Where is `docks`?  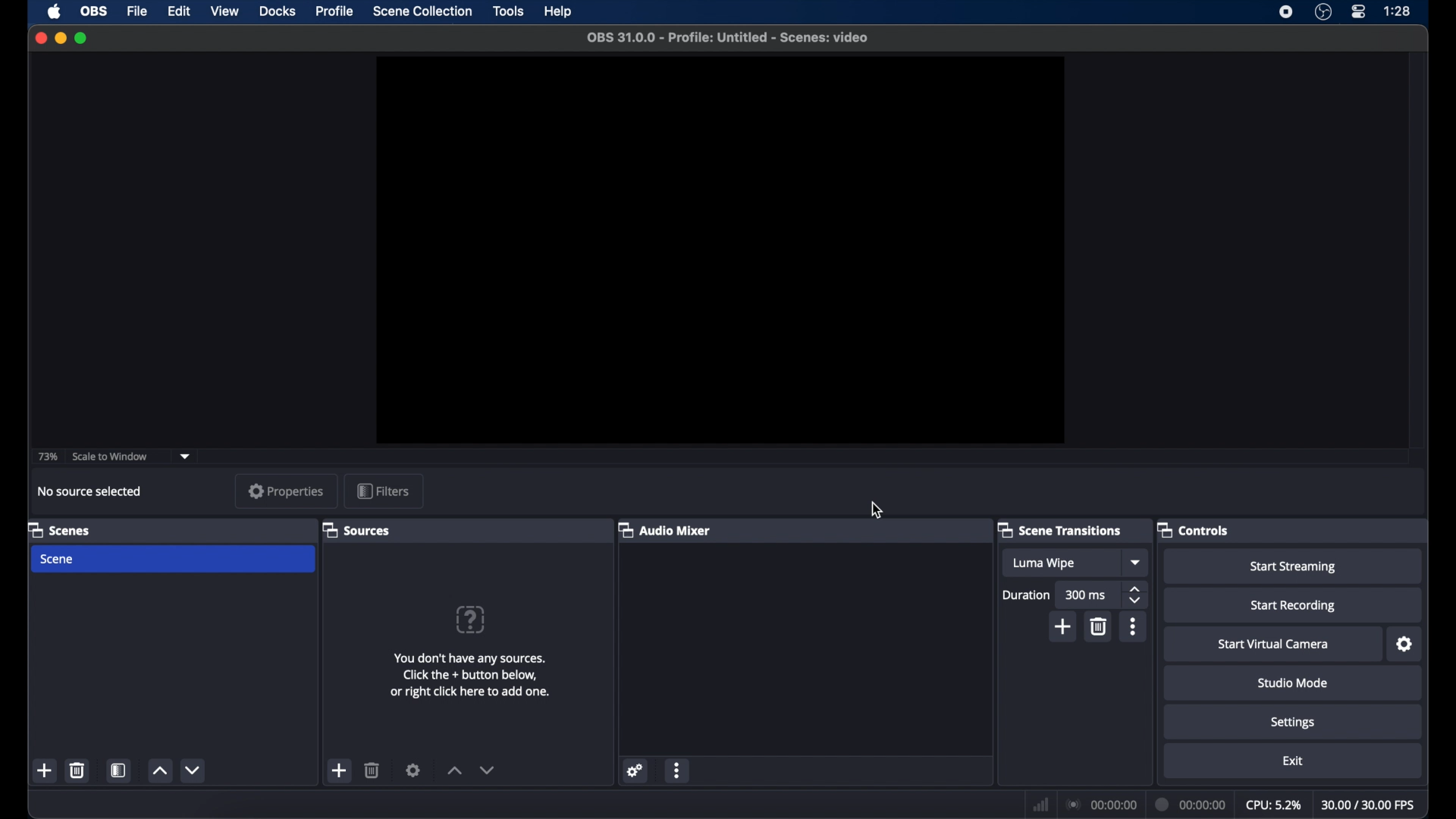 docks is located at coordinates (278, 12).